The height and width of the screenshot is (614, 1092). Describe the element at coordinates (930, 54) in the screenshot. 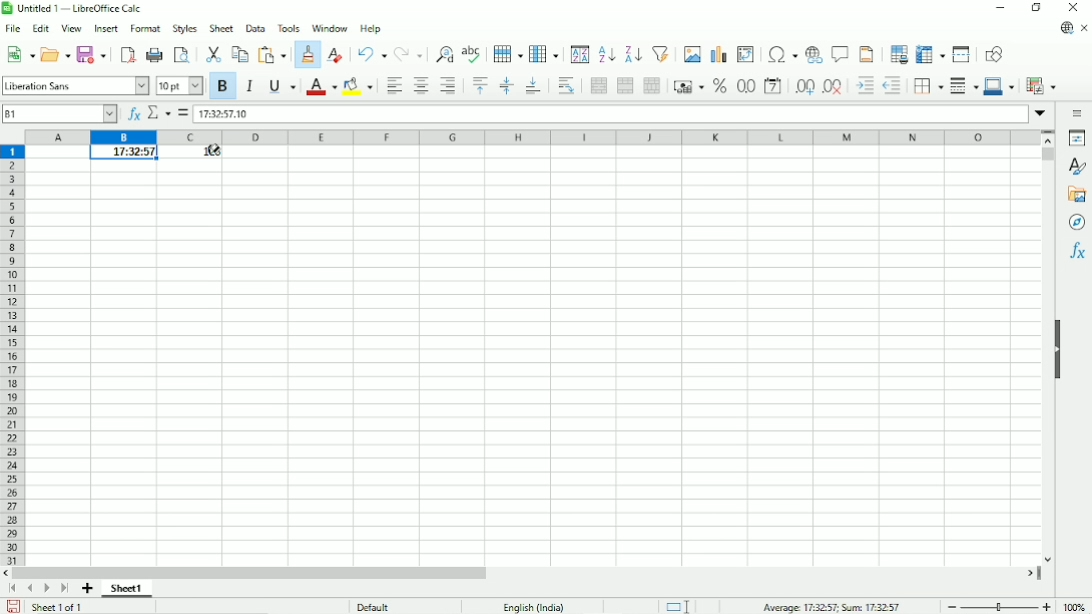

I see `Freeze rows and columns` at that location.